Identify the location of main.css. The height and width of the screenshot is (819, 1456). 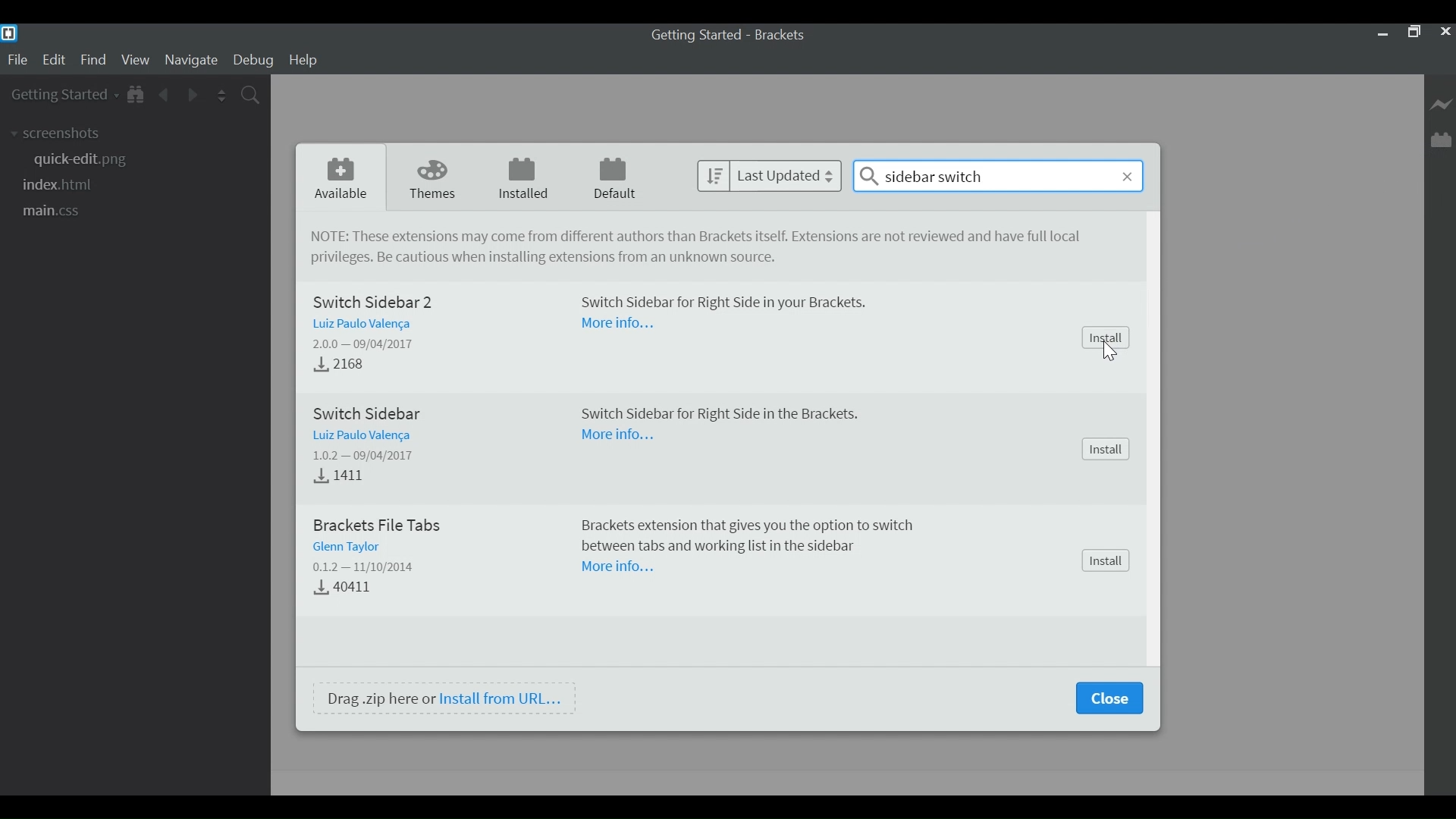
(60, 209).